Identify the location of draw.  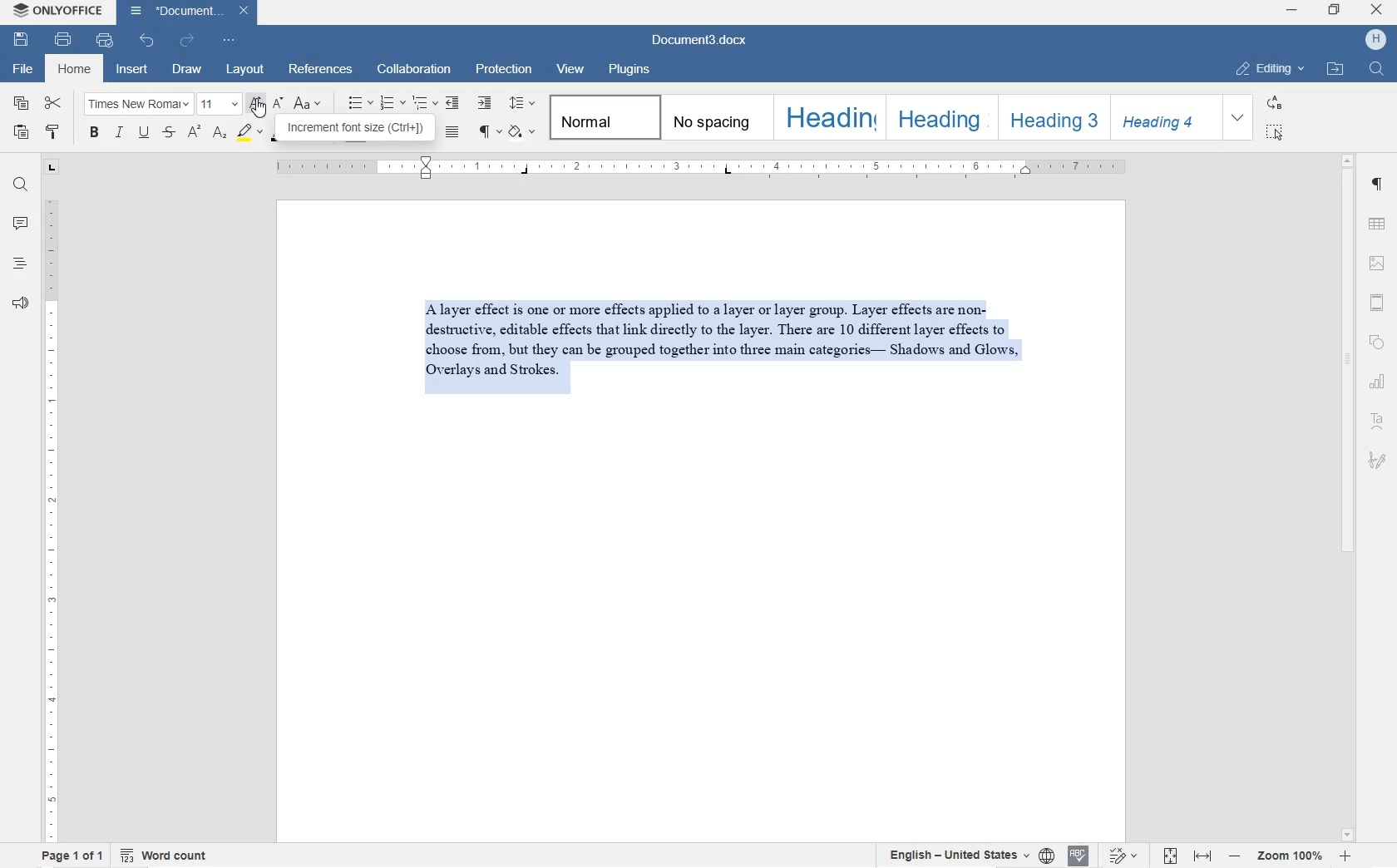
(187, 71).